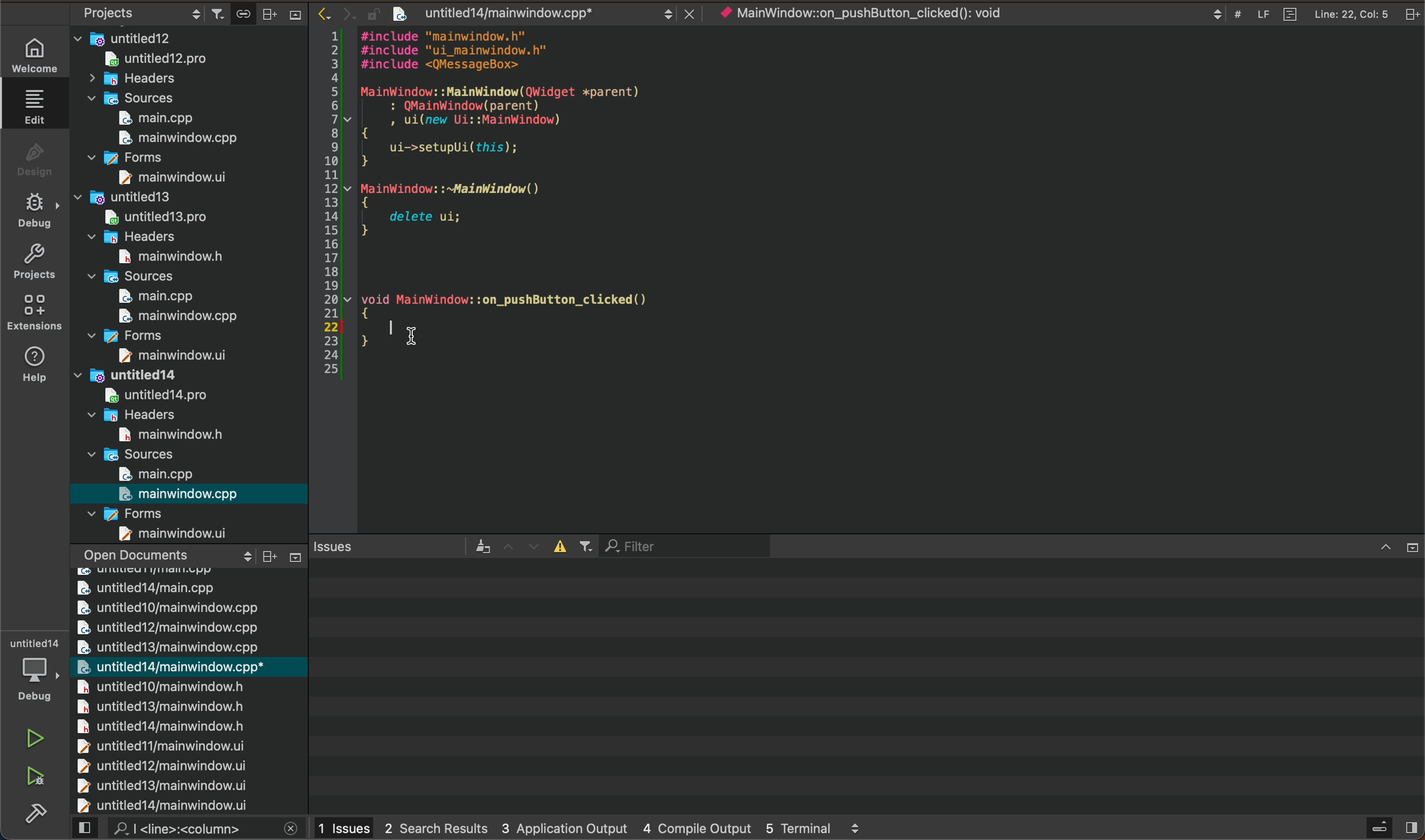 The width and height of the screenshot is (1425, 840). I want to click on main window.cpp, so click(170, 138).